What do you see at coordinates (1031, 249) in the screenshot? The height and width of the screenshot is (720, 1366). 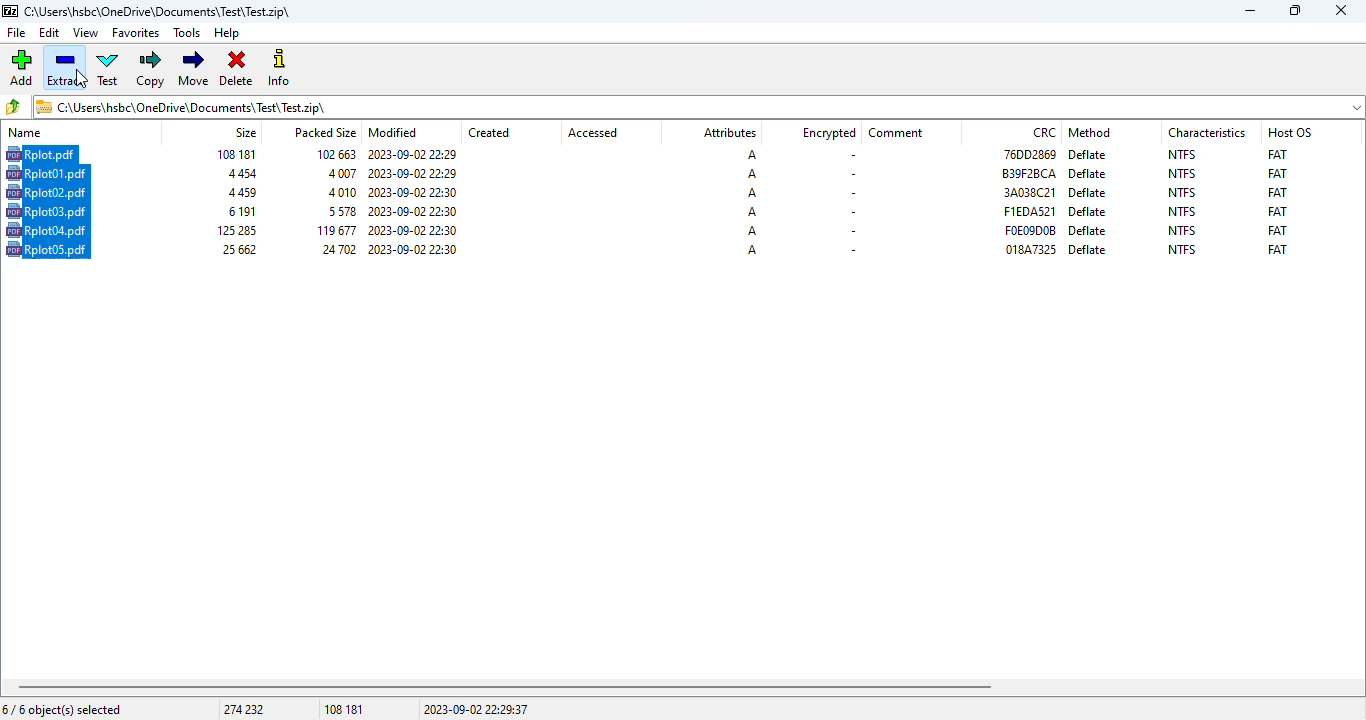 I see `CRC` at bounding box center [1031, 249].